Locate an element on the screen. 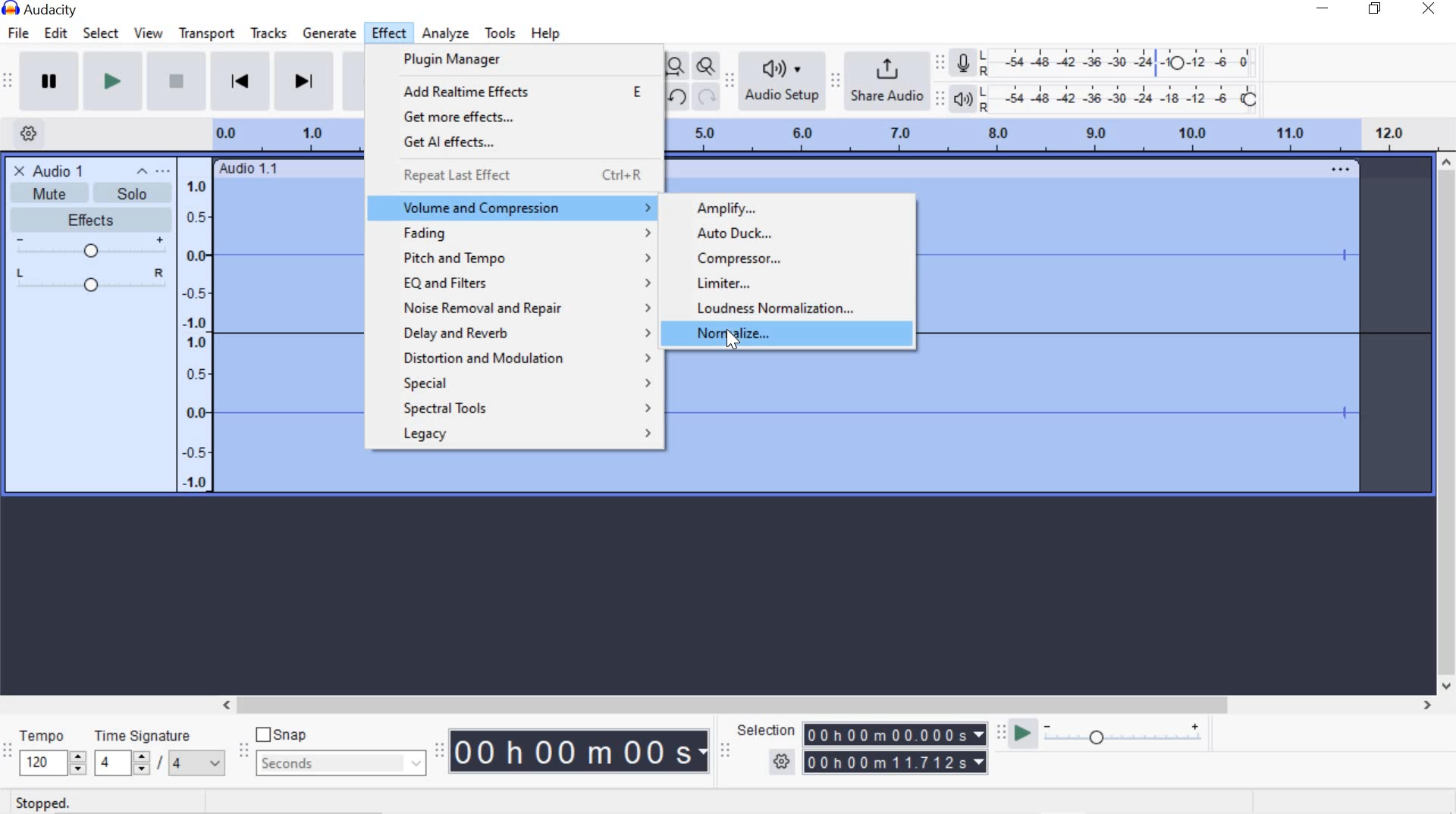  Selection Toolbar is located at coordinates (724, 750).